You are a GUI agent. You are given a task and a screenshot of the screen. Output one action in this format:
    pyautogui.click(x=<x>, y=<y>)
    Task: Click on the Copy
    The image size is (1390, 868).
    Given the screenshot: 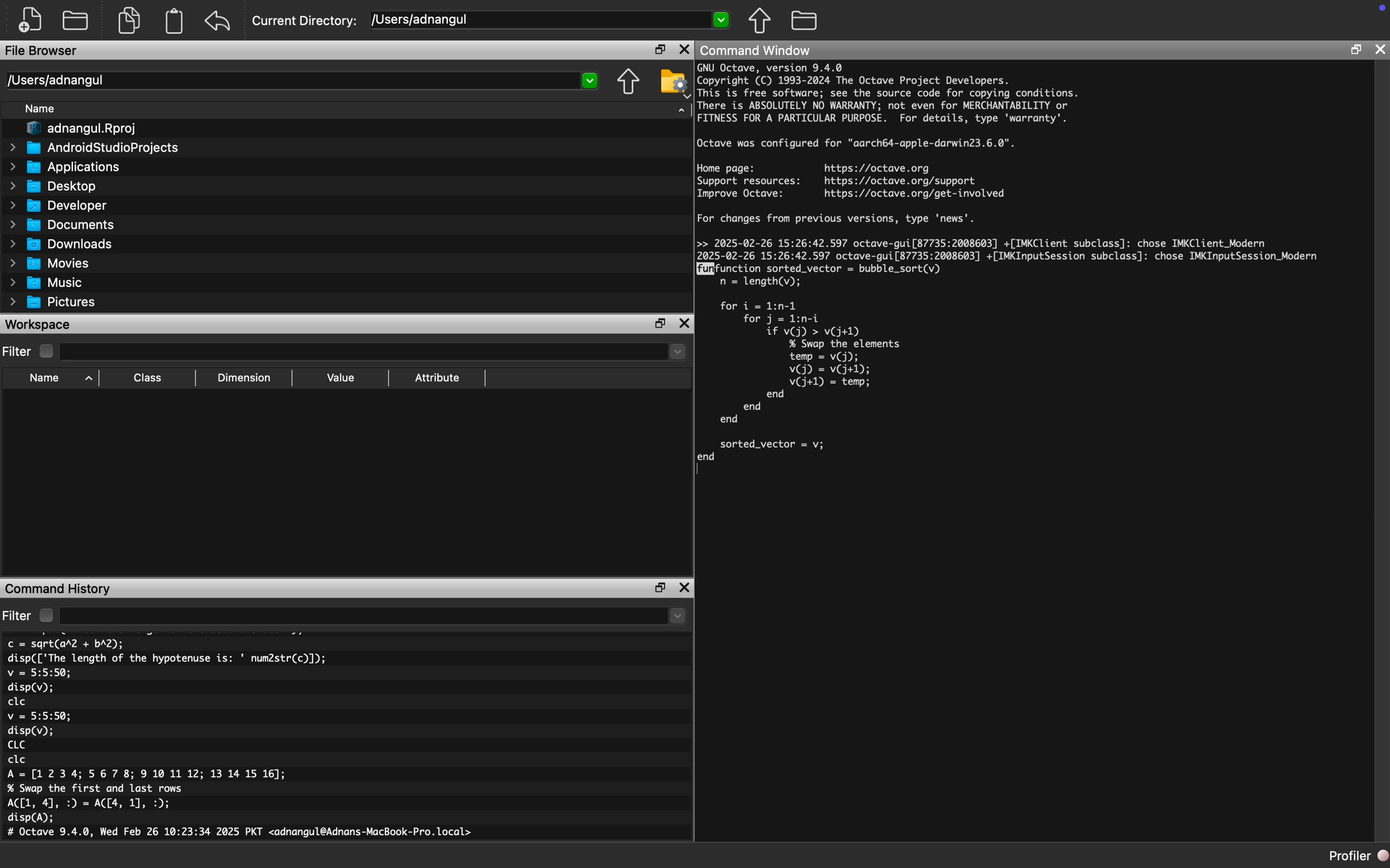 What is the action you would take?
    pyautogui.click(x=134, y=20)
    